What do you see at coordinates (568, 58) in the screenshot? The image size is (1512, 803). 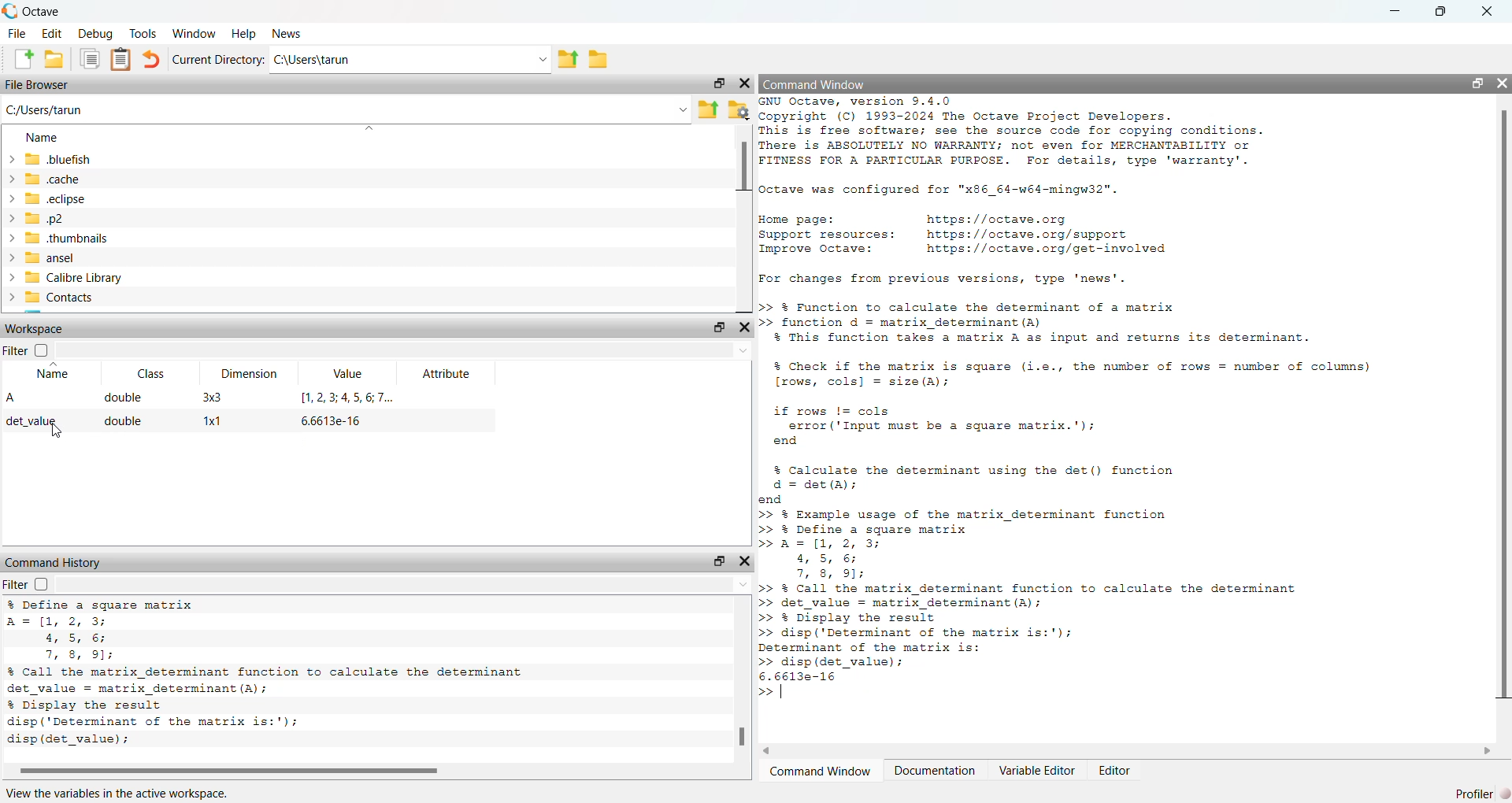 I see `one directory up` at bounding box center [568, 58].